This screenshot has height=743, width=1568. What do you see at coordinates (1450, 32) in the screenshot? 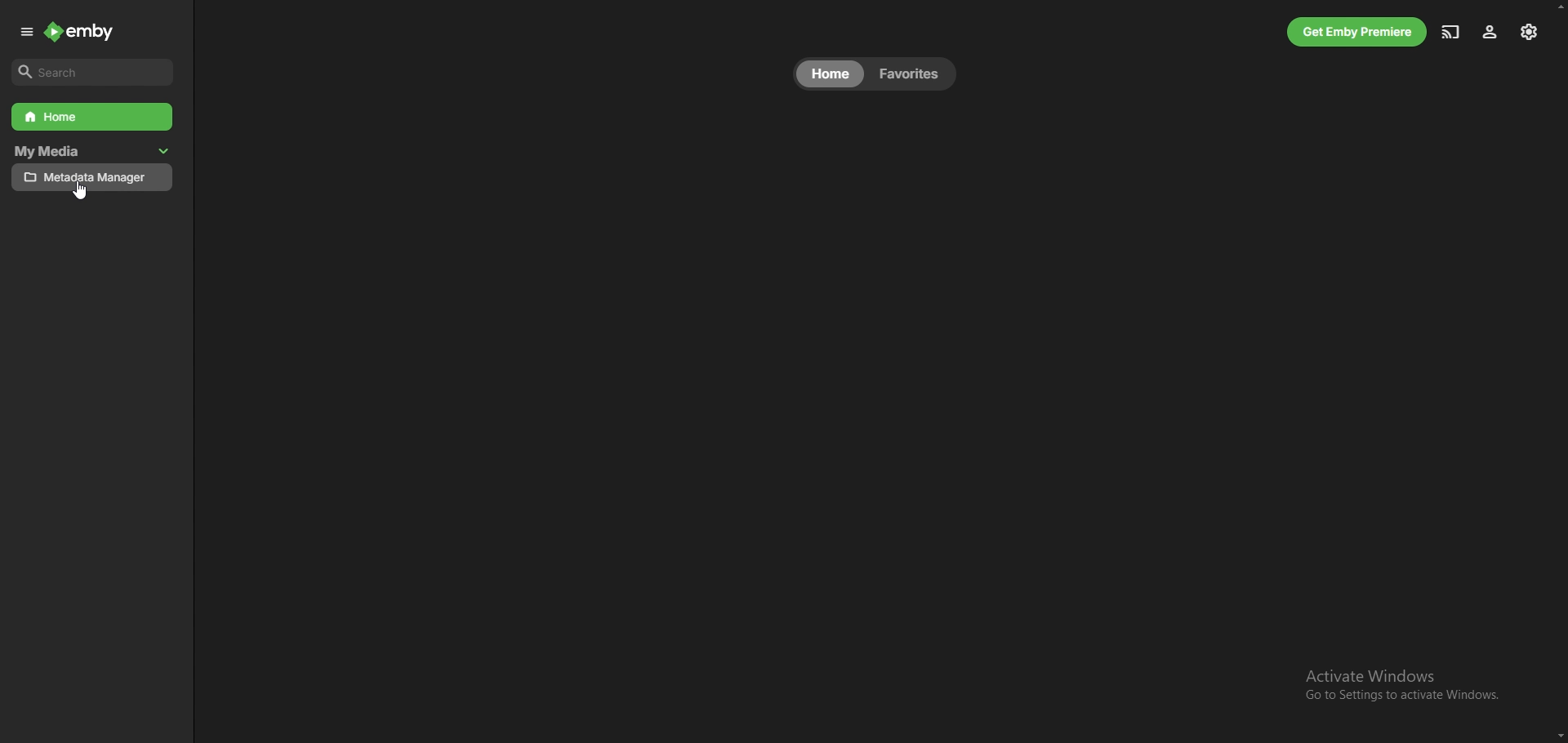
I see `cast` at bounding box center [1450, 32].